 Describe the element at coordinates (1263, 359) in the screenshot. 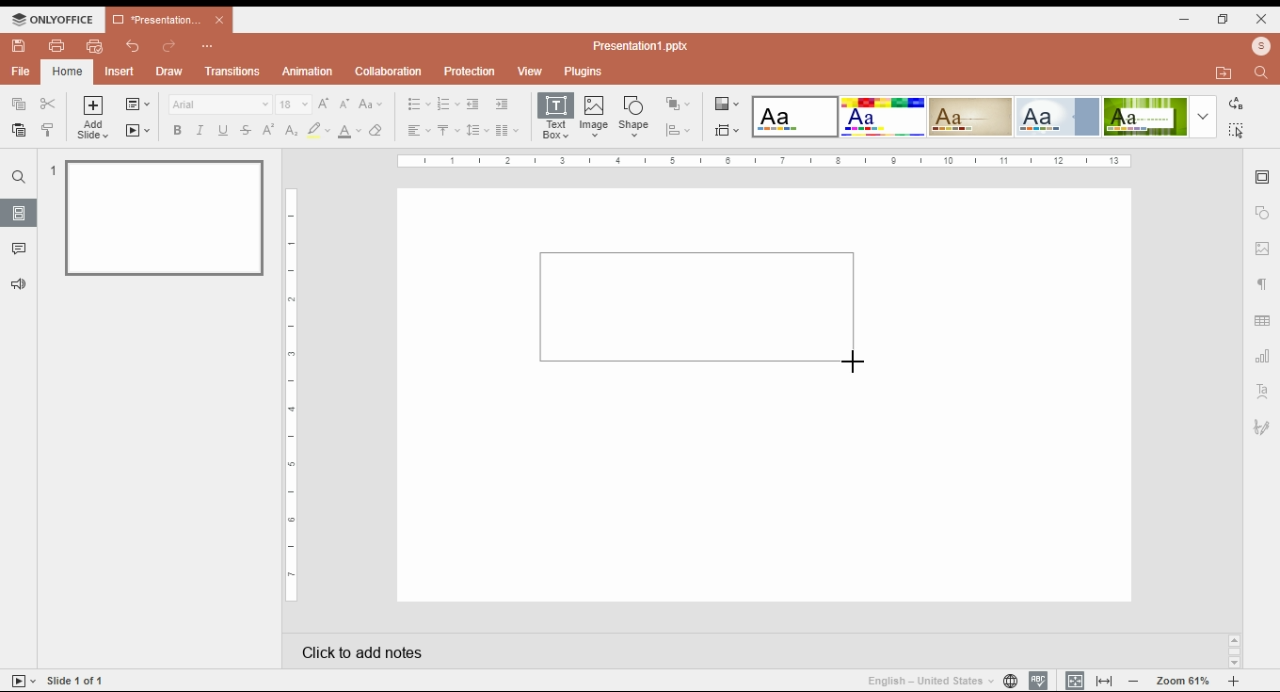

I see `chart settings` at that location.